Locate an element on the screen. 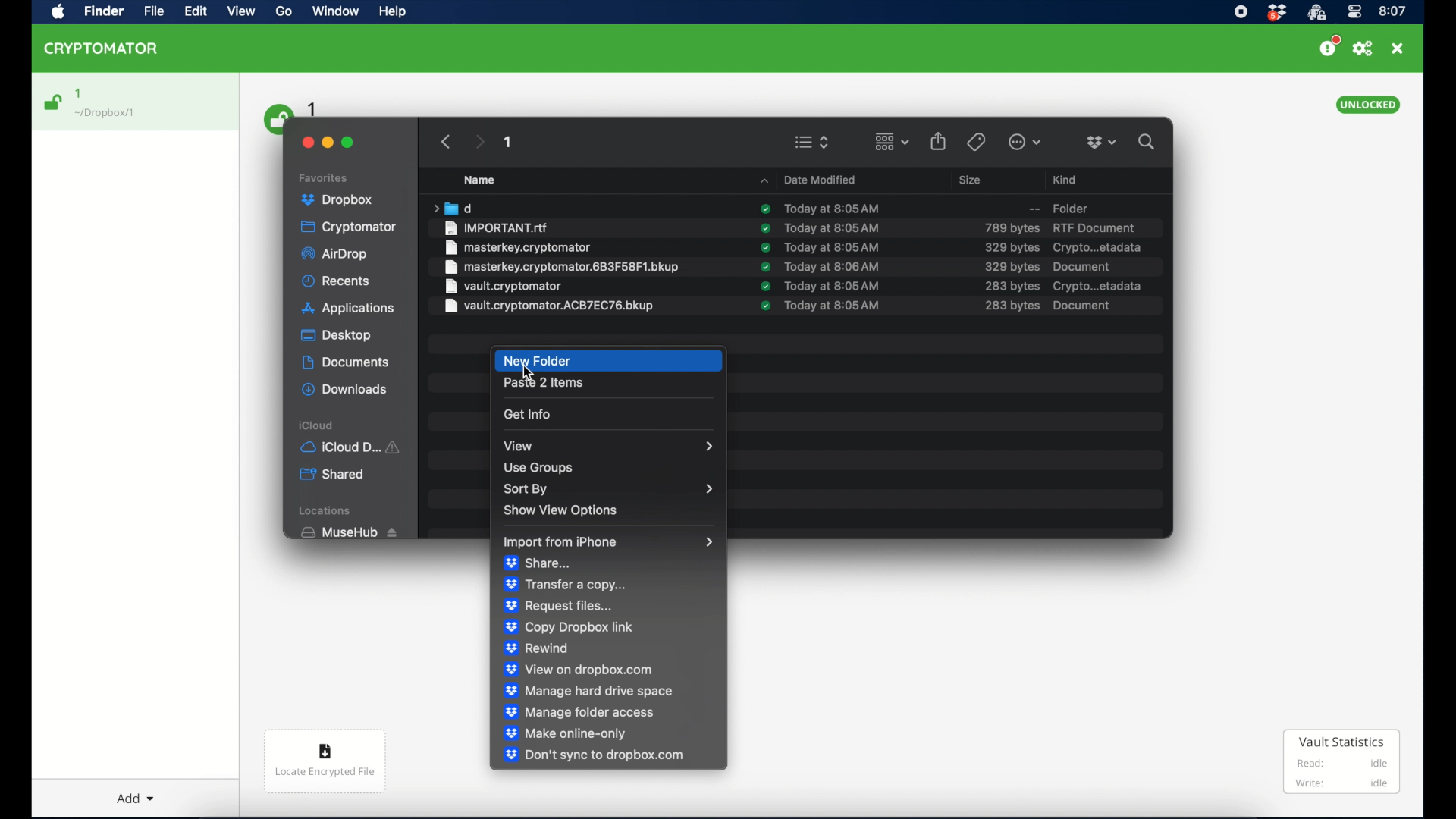 Image resolution: width=1456 pixels, height=819 pixels. Find is located at coordinates (107, 12).